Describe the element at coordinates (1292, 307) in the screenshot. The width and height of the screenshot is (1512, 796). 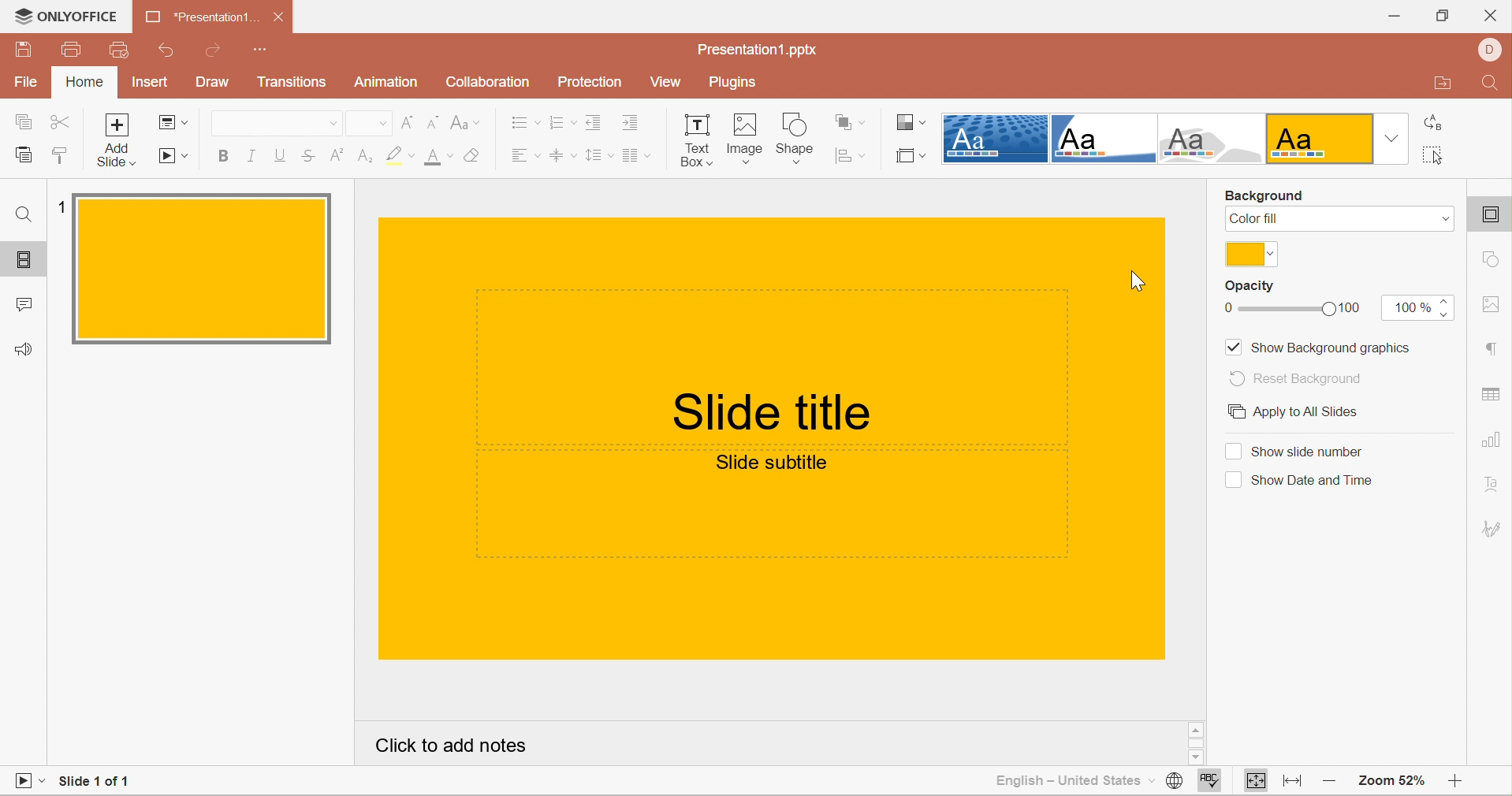
I see `slider from 0 to 100` at that location.